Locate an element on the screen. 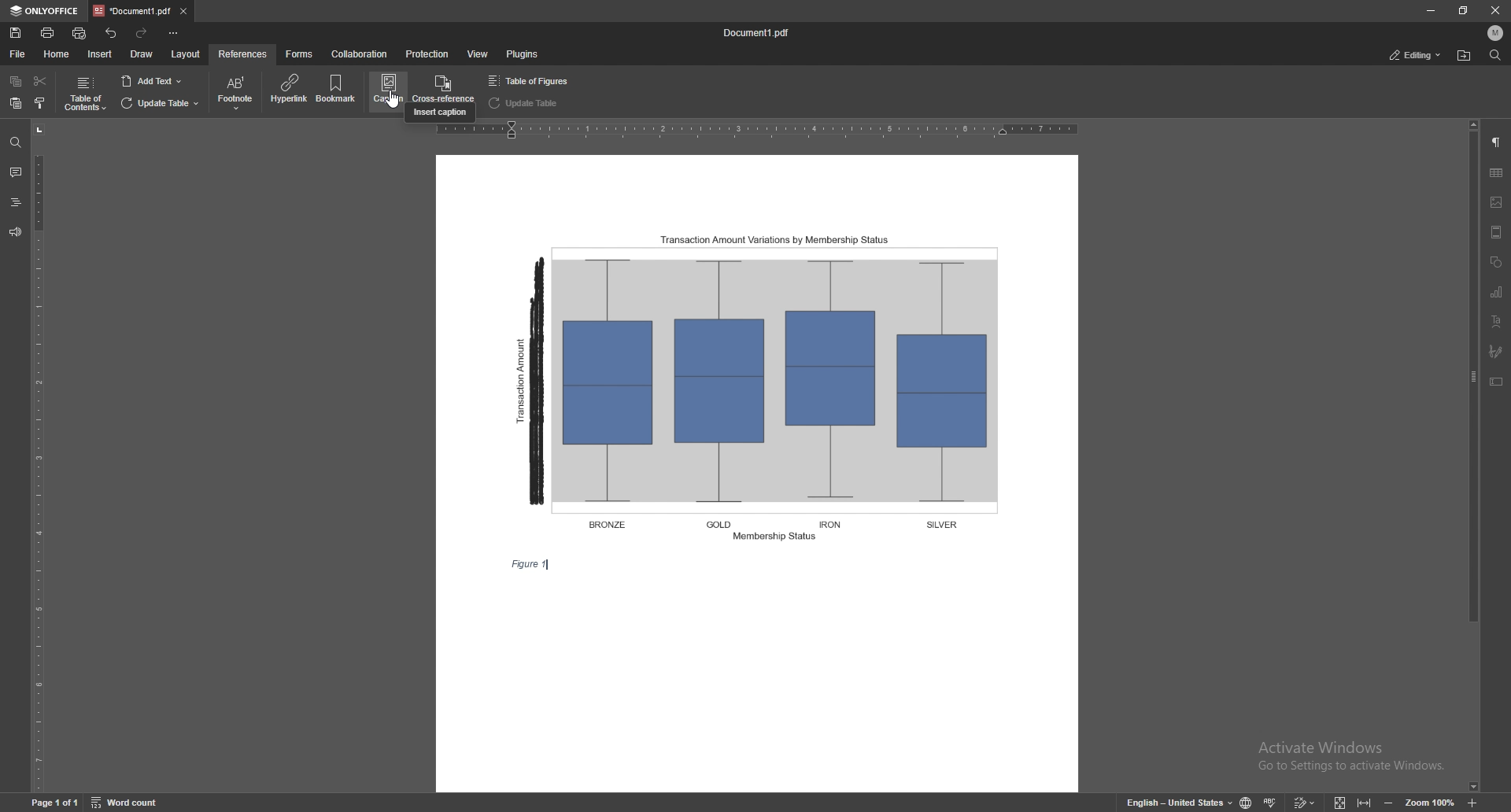 This screenshot has width=1511, height=812. bookmark is located at coordinates (338, 90).